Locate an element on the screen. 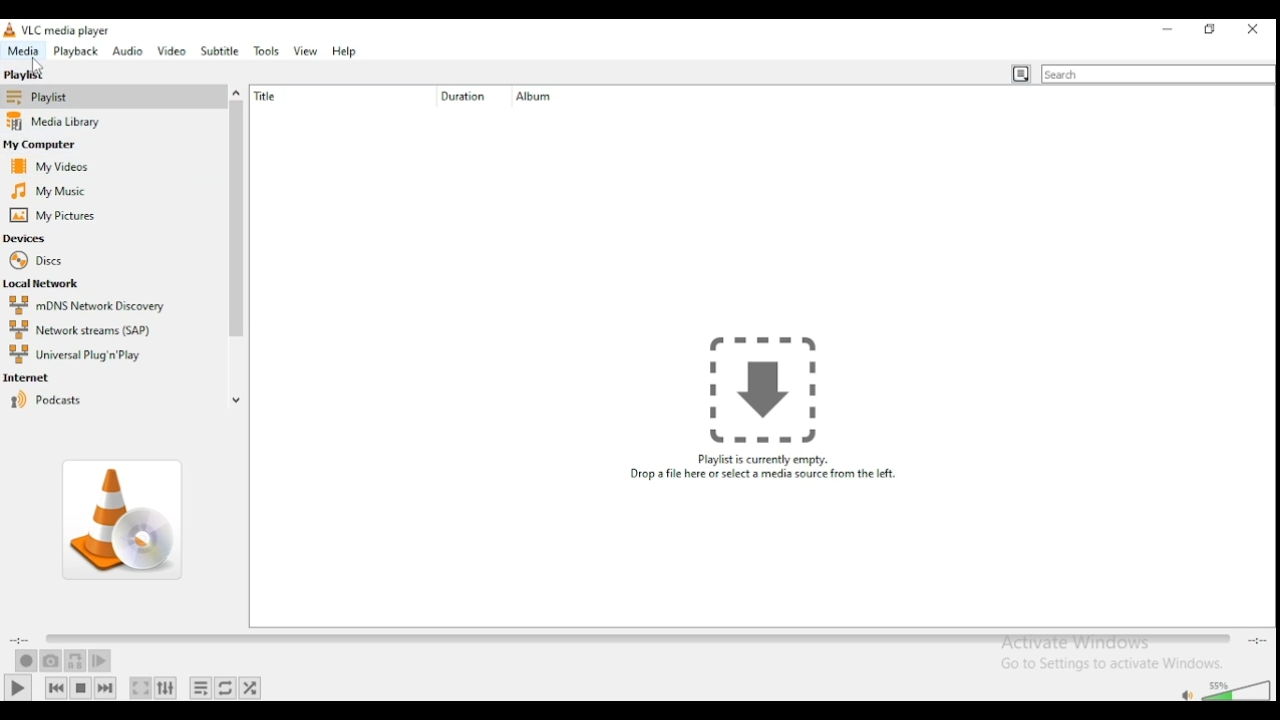 The height and width of the screenshot is (720, 1280). mute/unmute is located at coordinates (1181, 689).